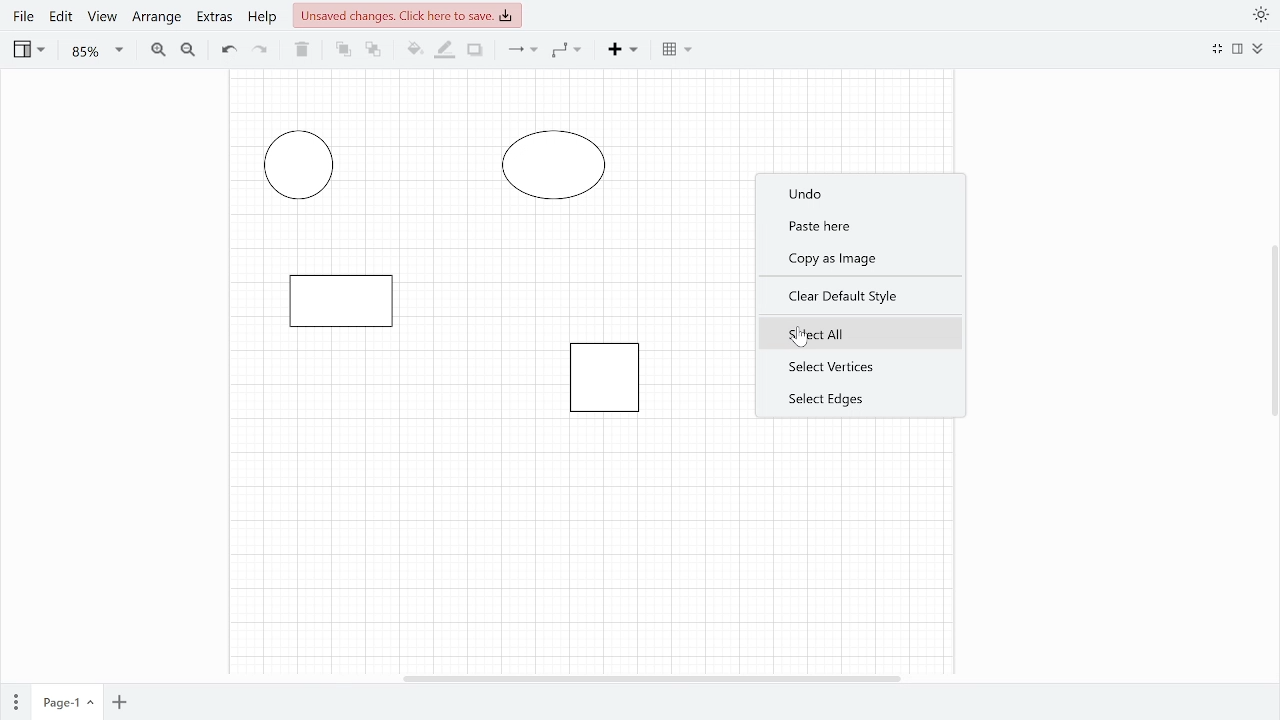 The width and height of the screenshot is (1280, 720). Describe the element at coordinates (1259, 49) in the screenshot. I see `Expand/Collapase` at that location.